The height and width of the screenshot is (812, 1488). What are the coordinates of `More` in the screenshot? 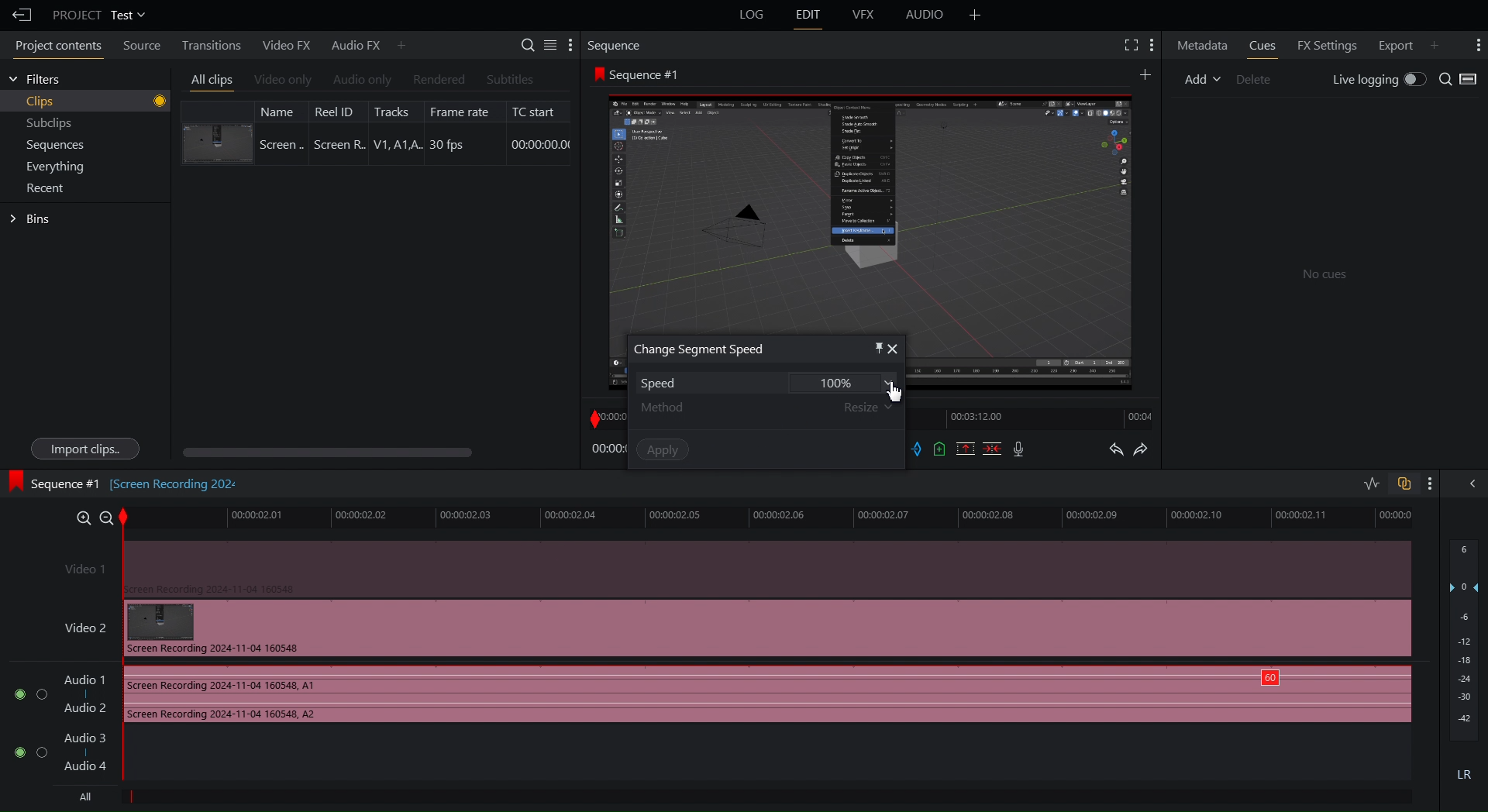 It's located at (1430, 483).